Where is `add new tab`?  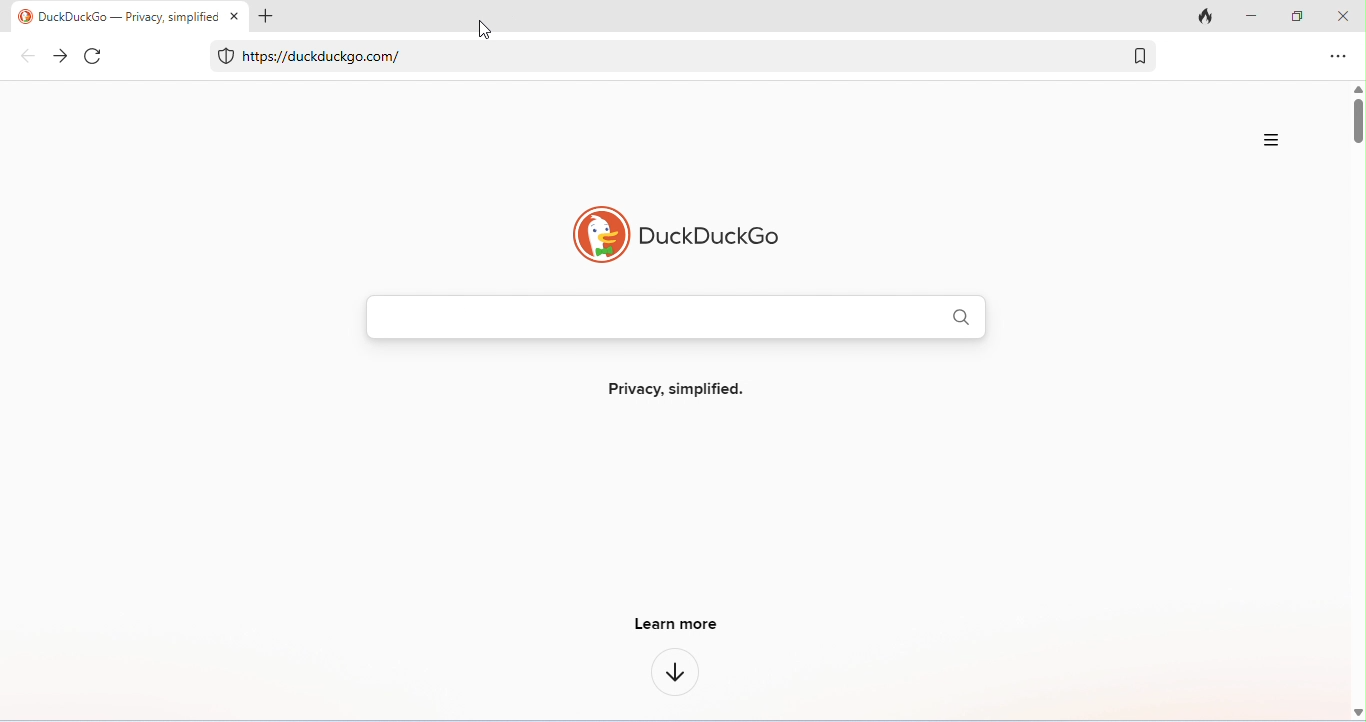 add new tab is located at coordinates (265, 15).